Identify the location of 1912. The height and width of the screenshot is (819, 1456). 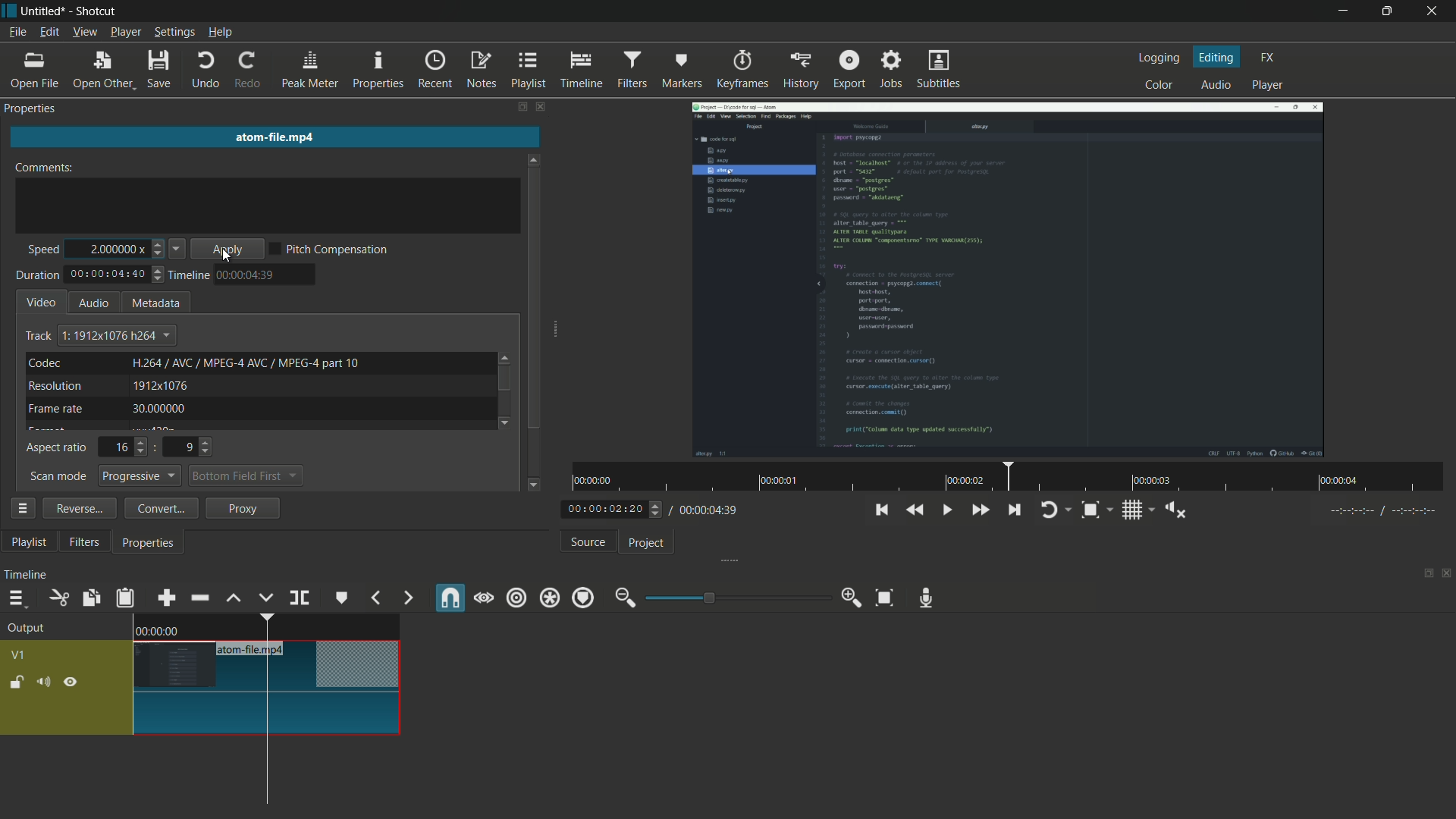
(161, 385).